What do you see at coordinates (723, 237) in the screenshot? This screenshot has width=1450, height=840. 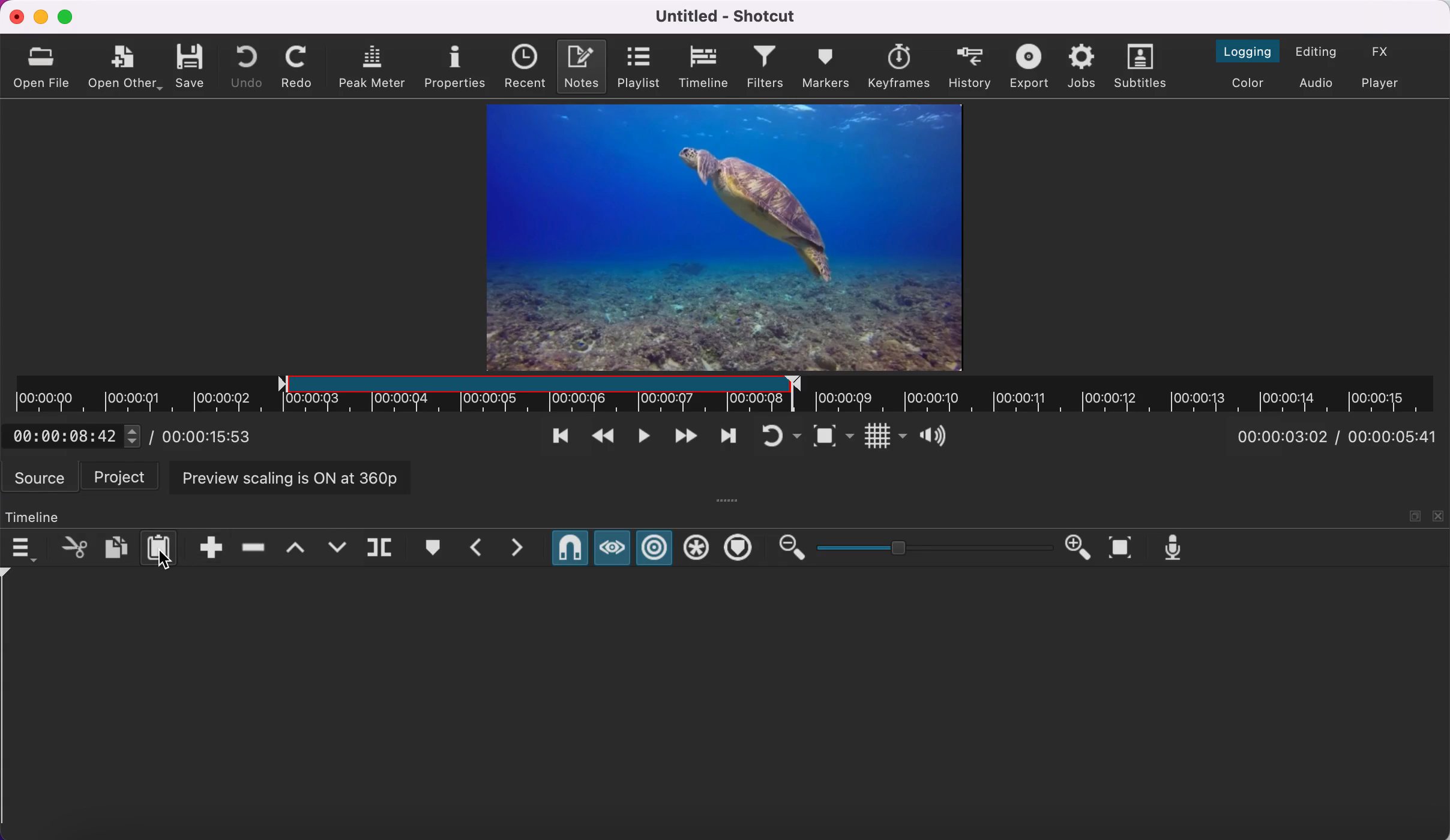 I see `clip` at bounding box center [723, 237].